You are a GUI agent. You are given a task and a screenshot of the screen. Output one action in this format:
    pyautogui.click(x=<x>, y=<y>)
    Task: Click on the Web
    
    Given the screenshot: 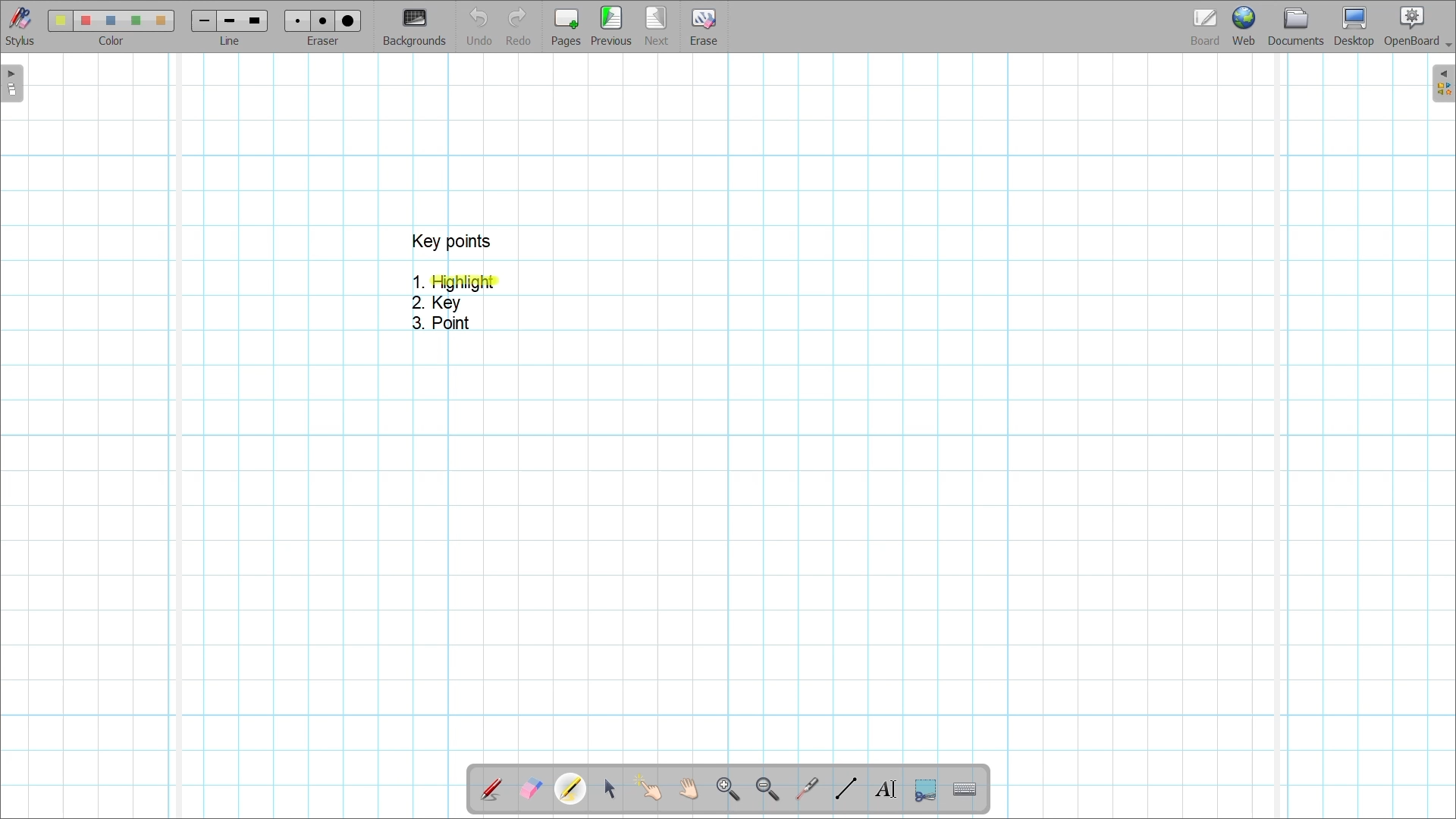 What is the action you would take?
    pyautogui.click(x=1244, y=26)
    